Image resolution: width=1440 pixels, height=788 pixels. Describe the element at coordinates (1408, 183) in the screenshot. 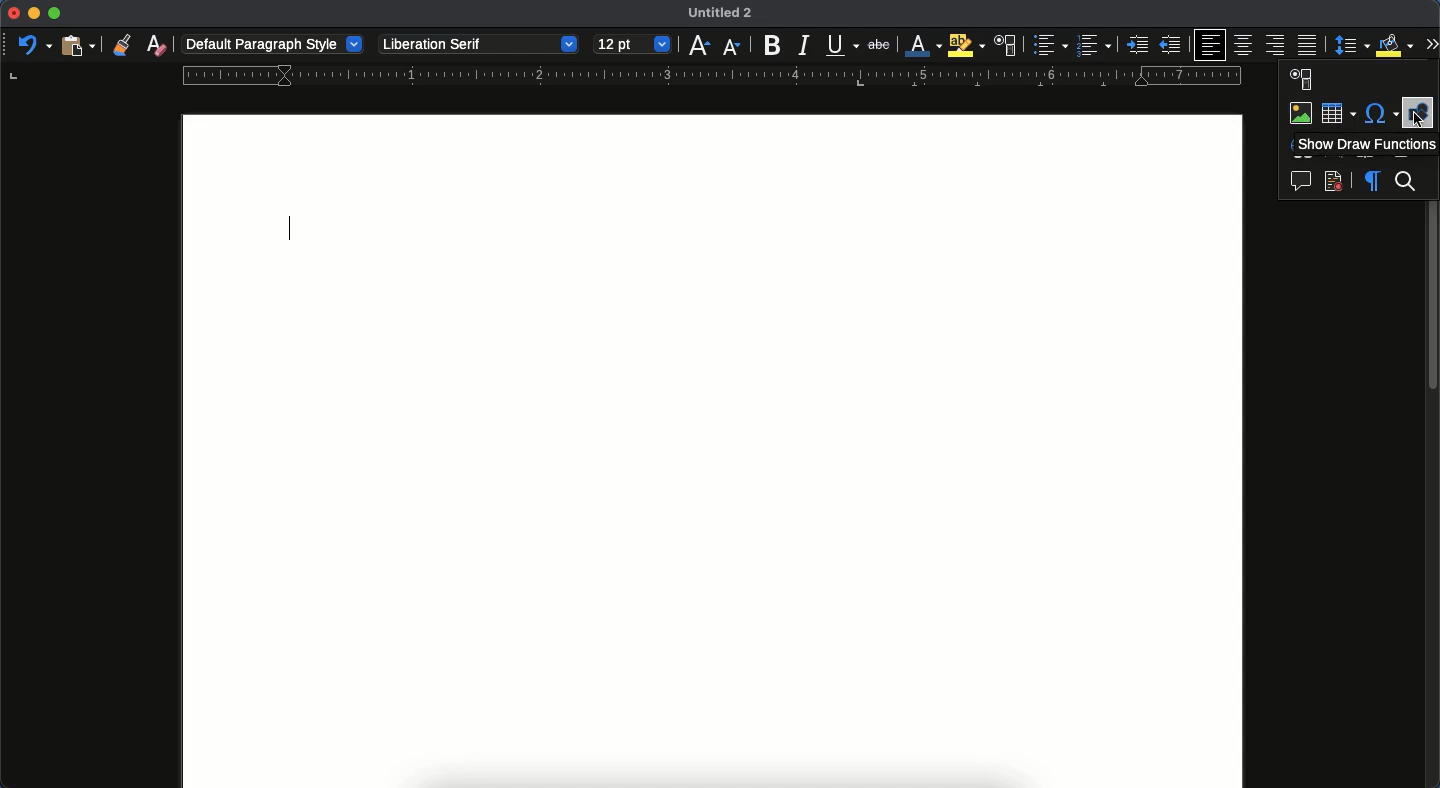

I see `search` at that location.